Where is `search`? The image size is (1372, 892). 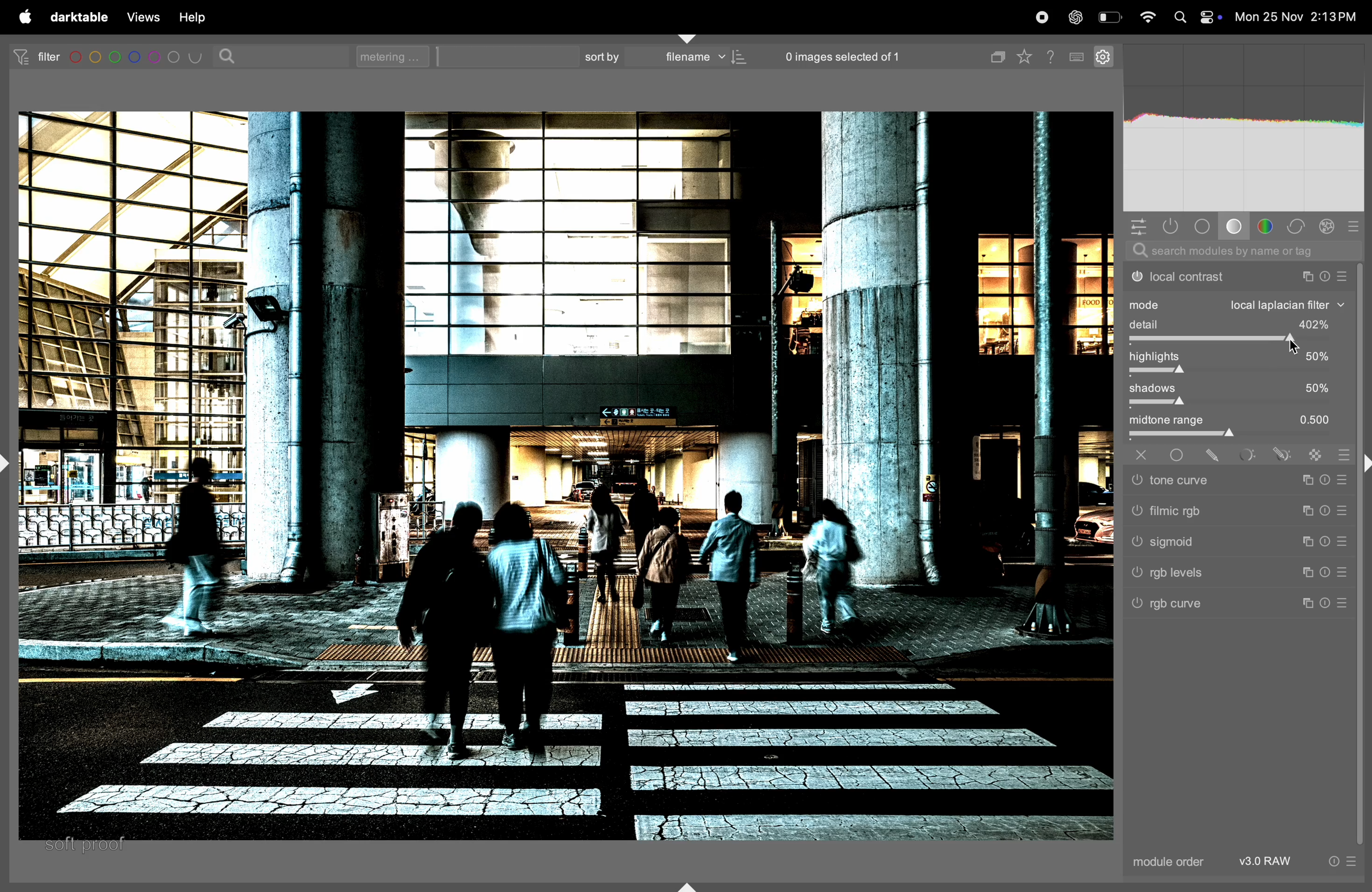 search is located at coordinates (230, 55).